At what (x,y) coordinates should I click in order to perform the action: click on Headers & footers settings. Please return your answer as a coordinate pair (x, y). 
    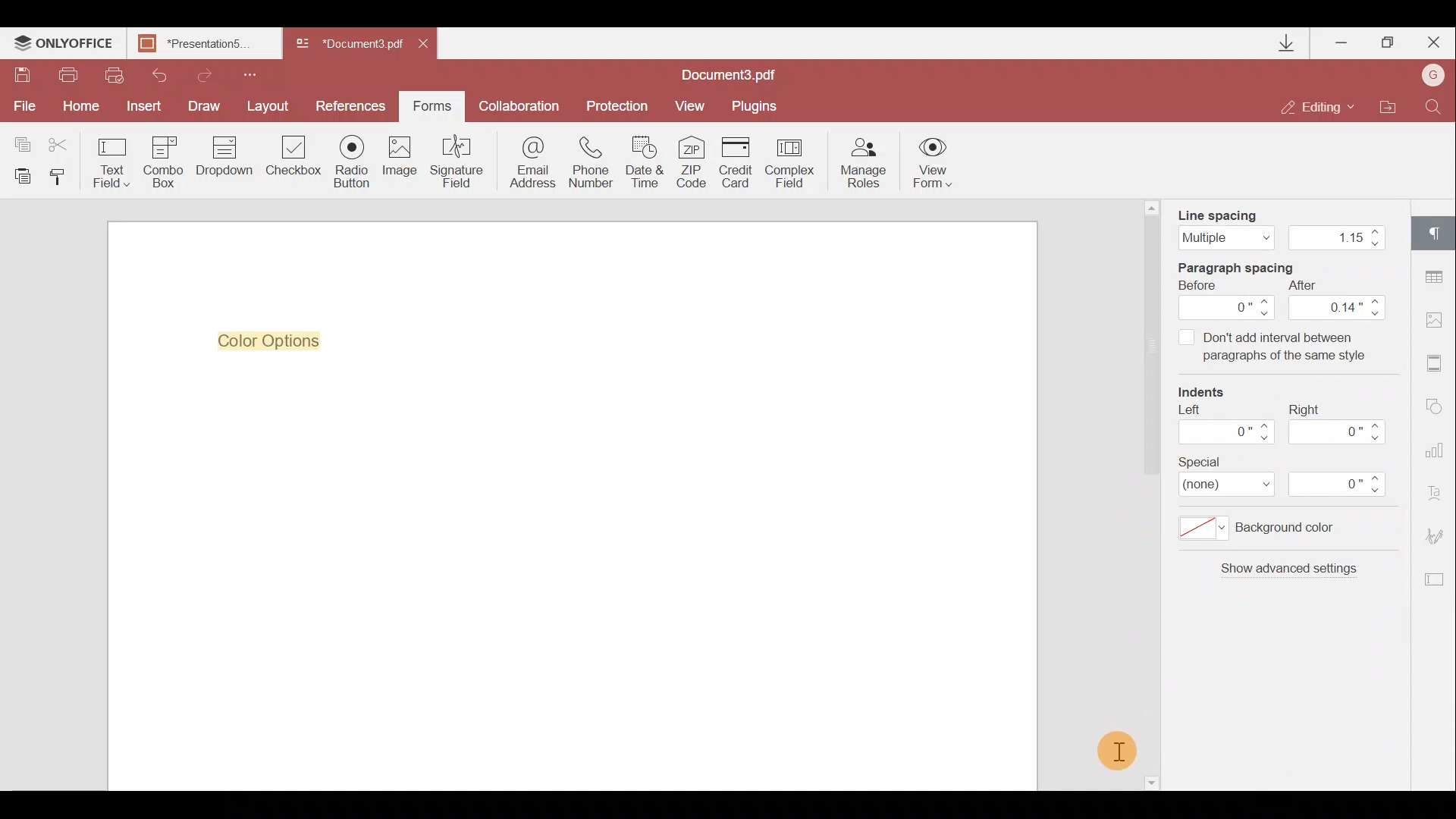
    Looking at the image, I should click on (1439, 364).